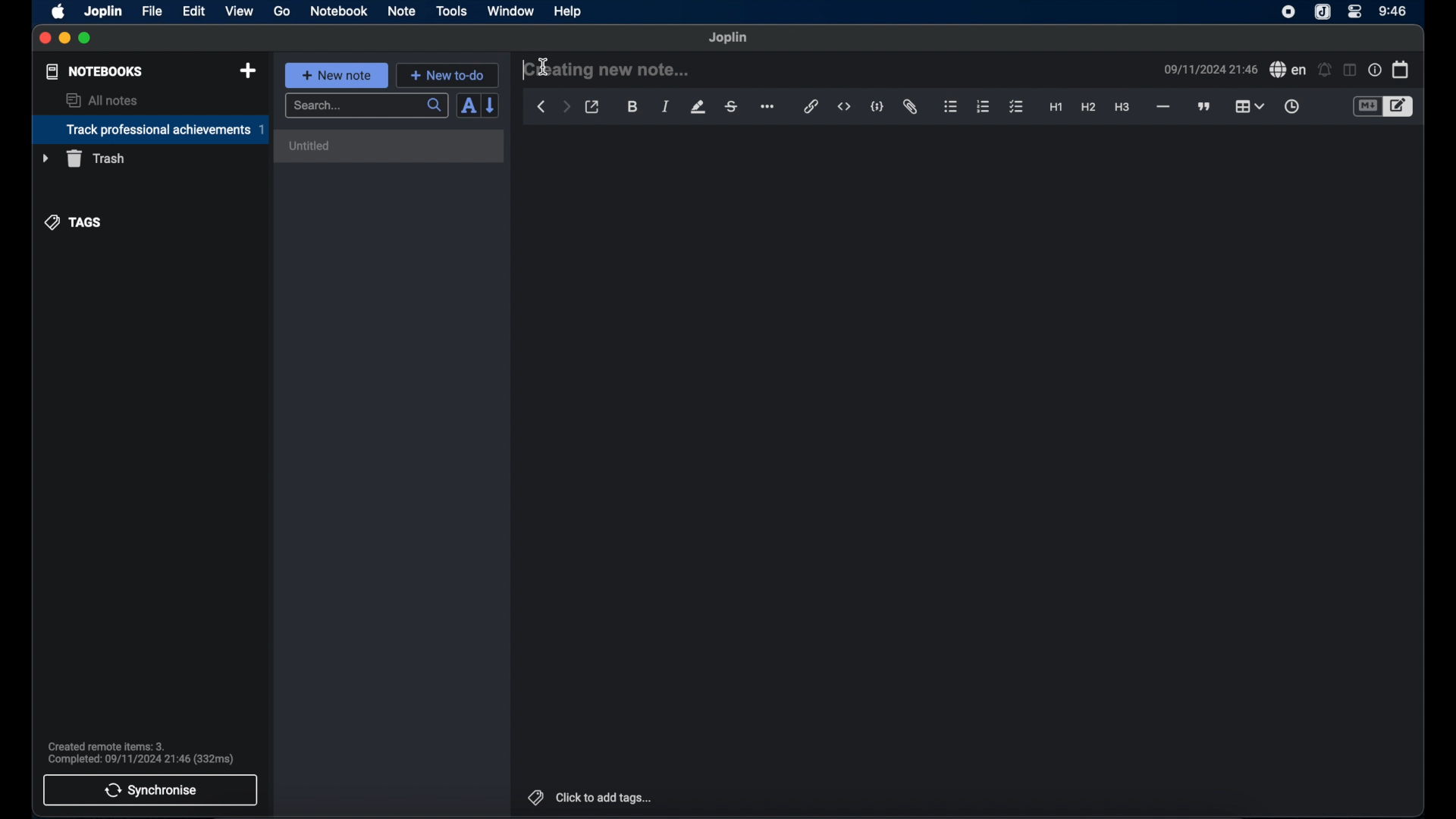 The width and height of the screenshot is (1456, 819). What do you see at coordinates (566, 108) in the screenshot?
I see `forward` at bounding box center [566, 108].